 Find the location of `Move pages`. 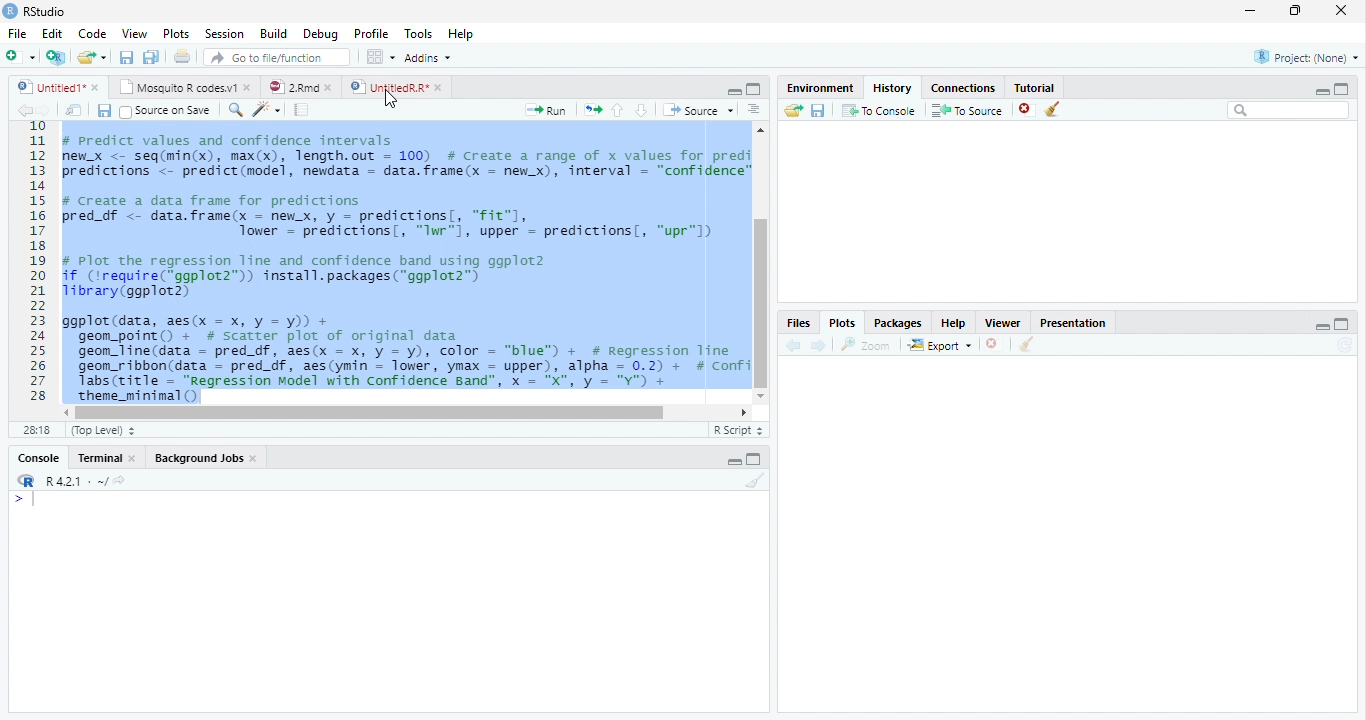

Move pages is located at coordinates (590, 109).